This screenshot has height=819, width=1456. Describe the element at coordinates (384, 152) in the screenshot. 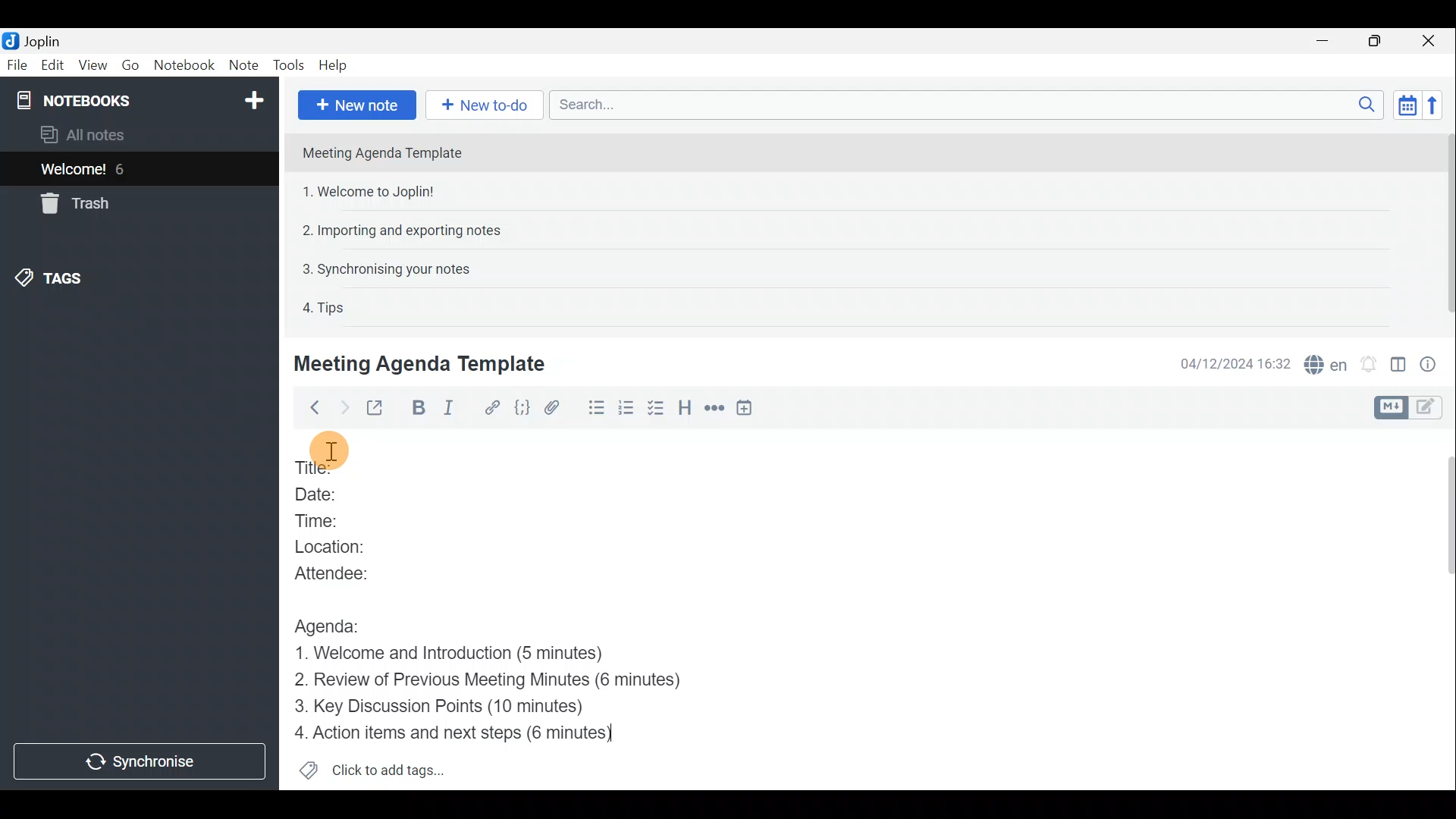

I see `Meeting Agenda Template` at that location.